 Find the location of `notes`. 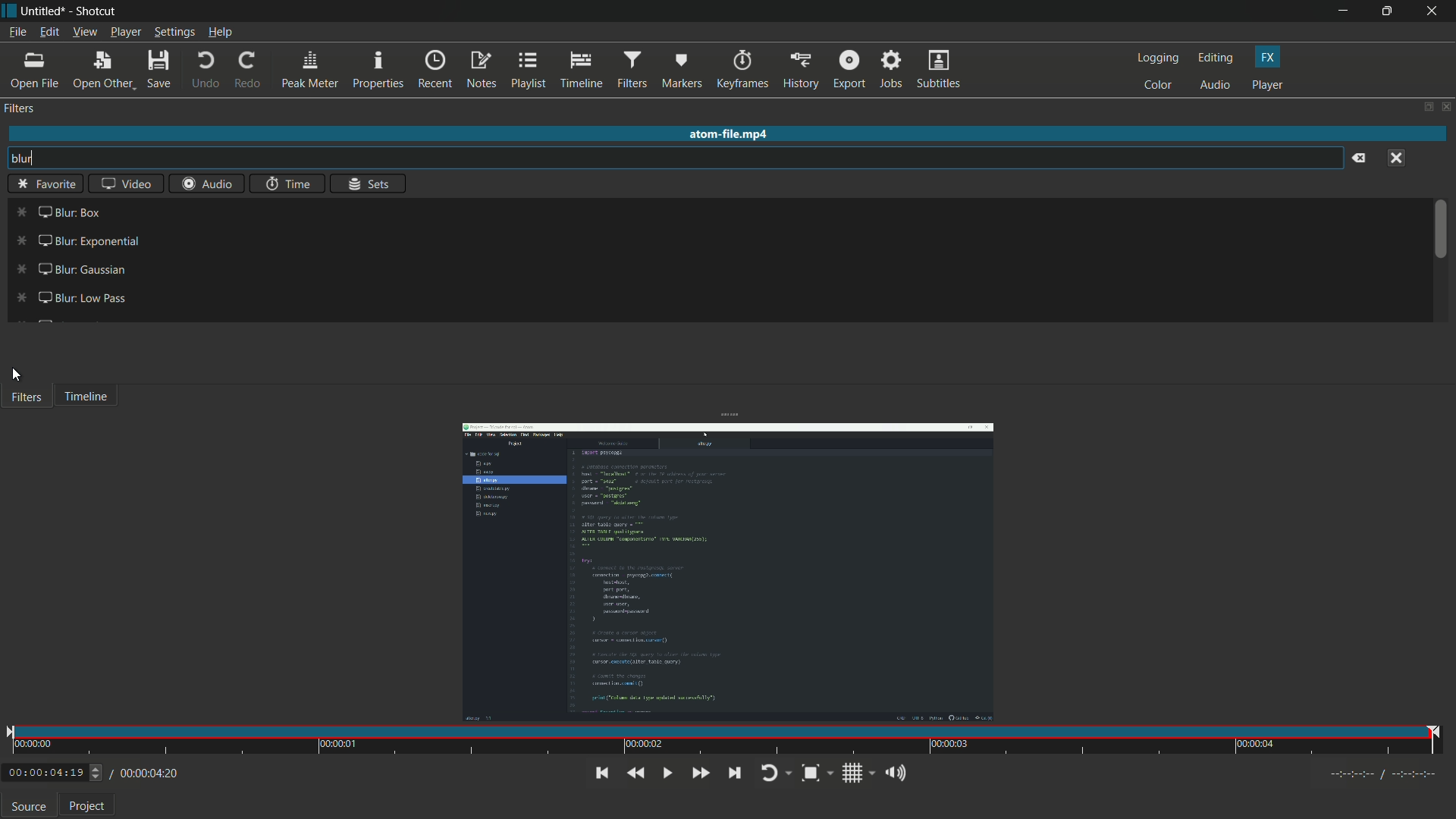

notes is located at coordinates (482, 70).